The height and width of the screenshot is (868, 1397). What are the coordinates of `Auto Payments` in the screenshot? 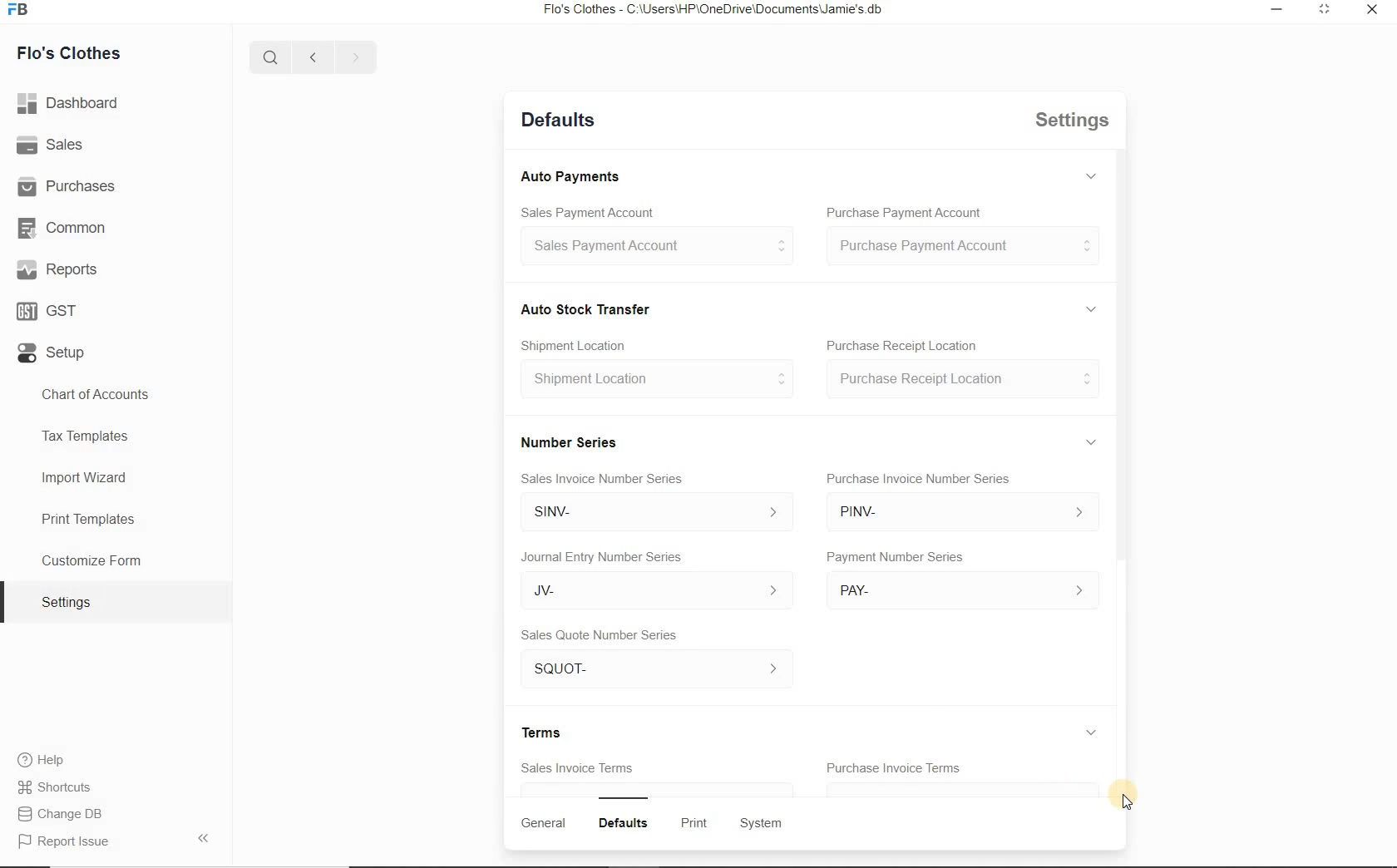 It's located at (570, 175).